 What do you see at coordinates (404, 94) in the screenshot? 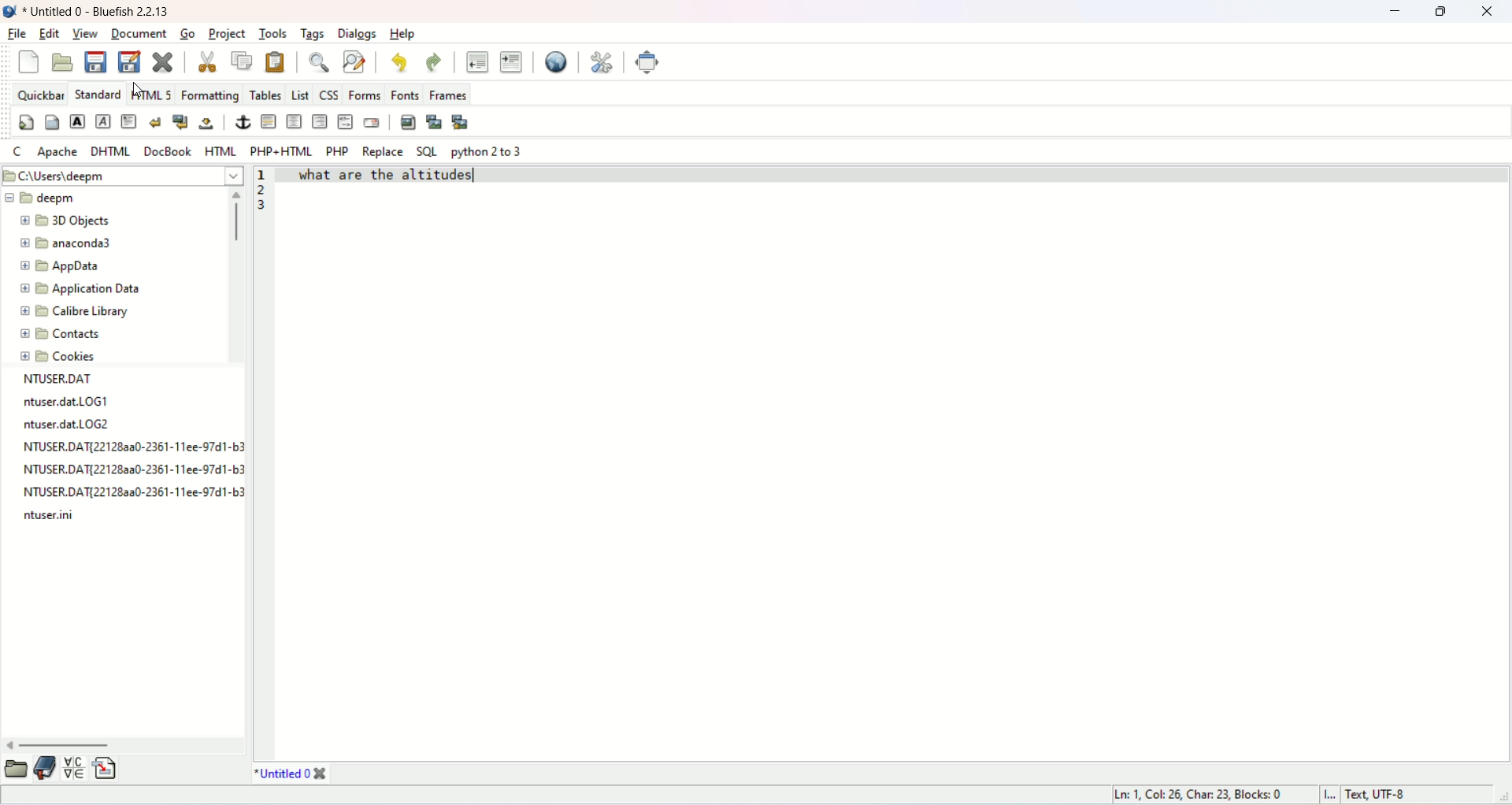
I see `fonts` at bounding box center [404, 94].